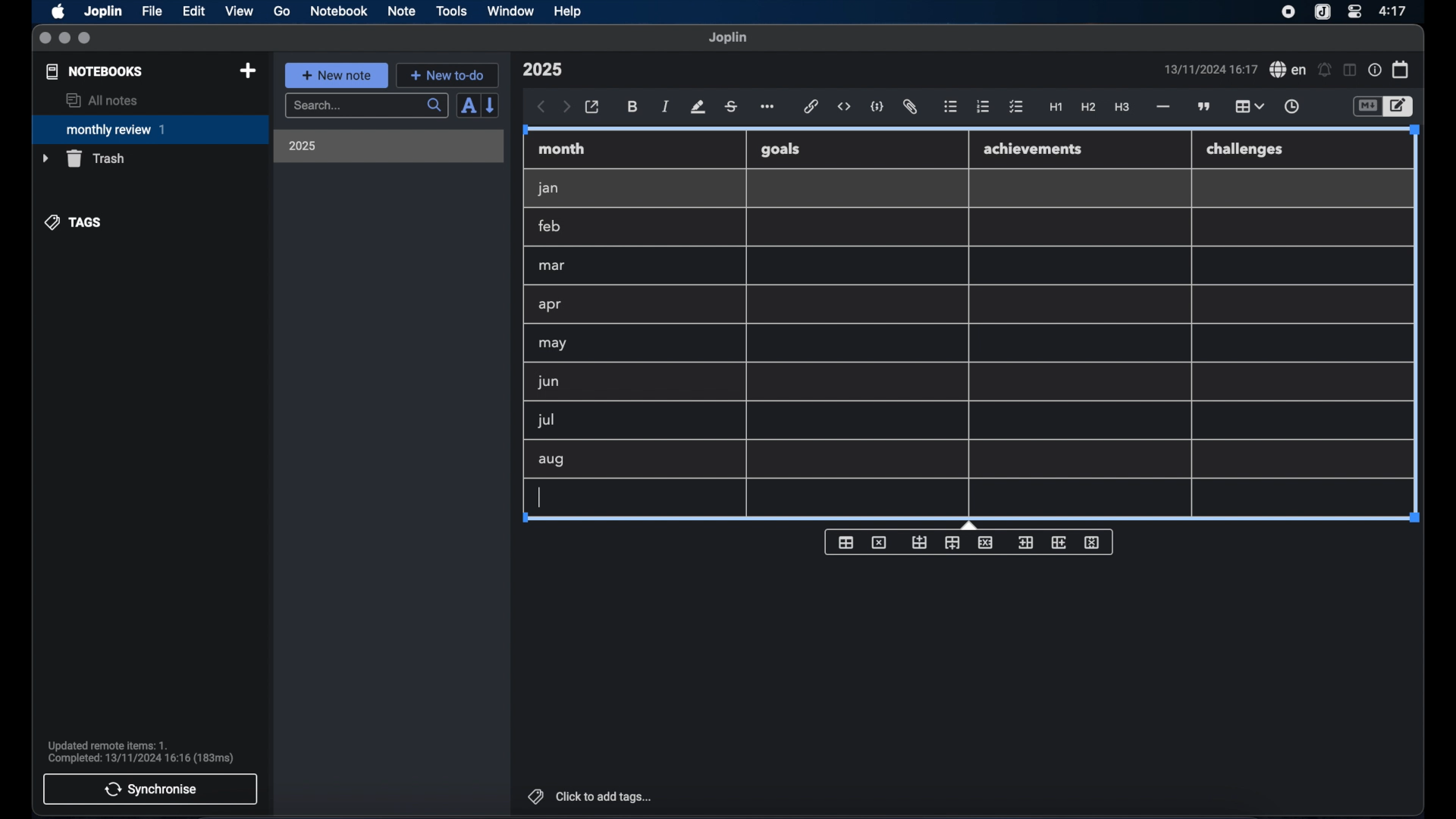  Describe the element at coordinates (150, 789) in the screenshot. I see `synchronise` at that location.